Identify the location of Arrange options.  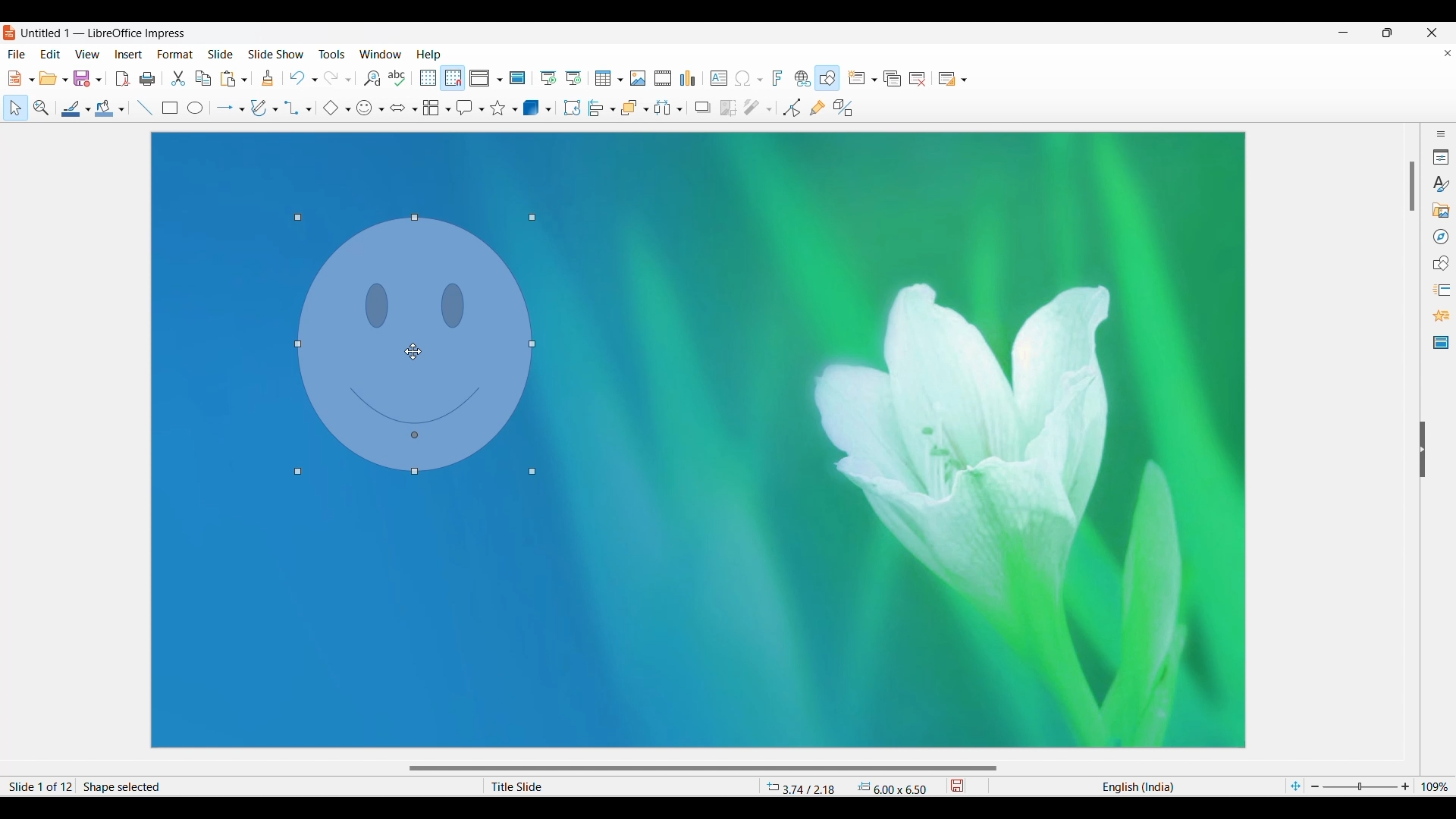
(647, 109).